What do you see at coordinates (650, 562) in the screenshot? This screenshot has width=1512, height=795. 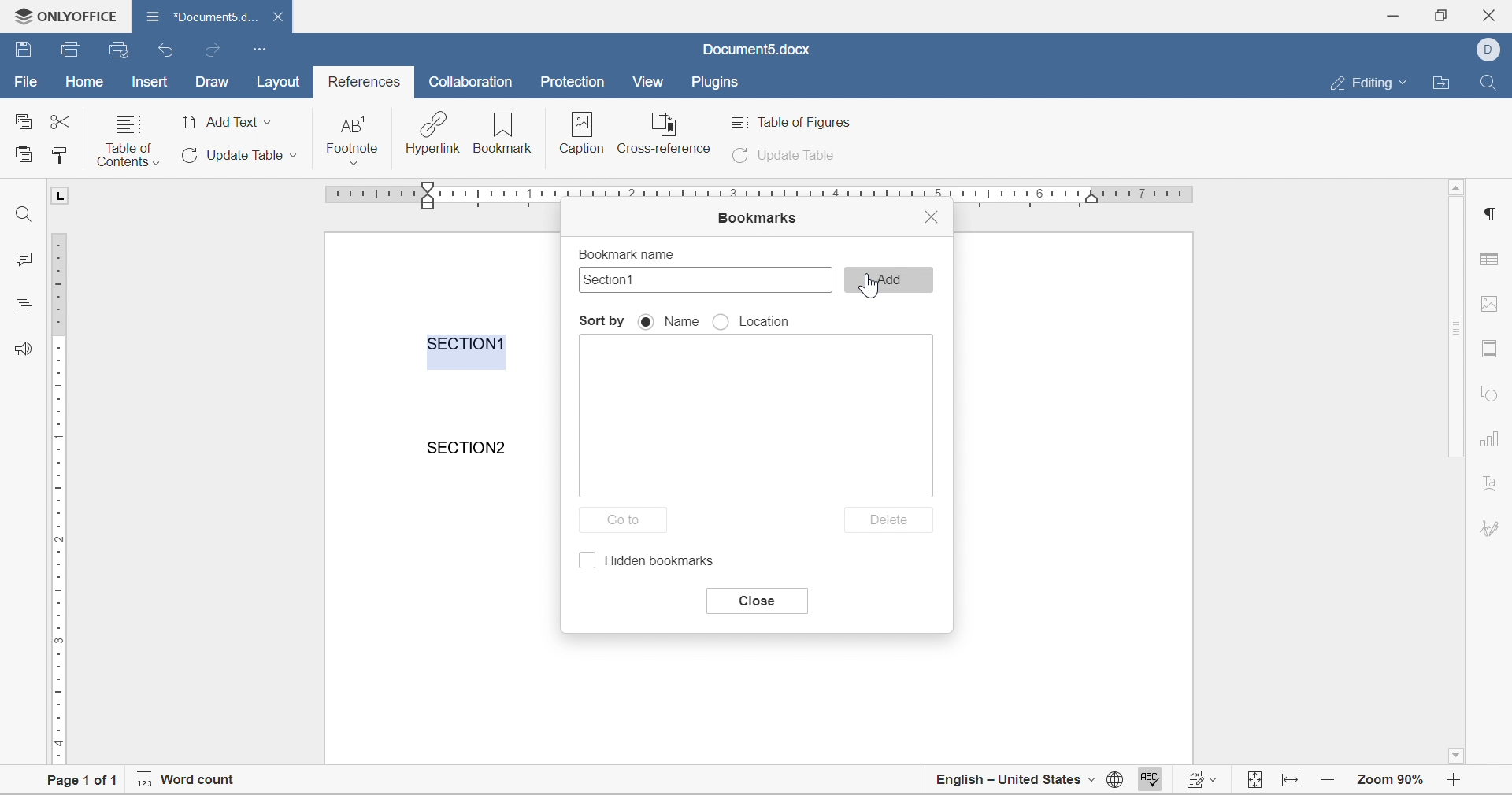 I see `hidden bookmarks` at bounding box center [650, 562].